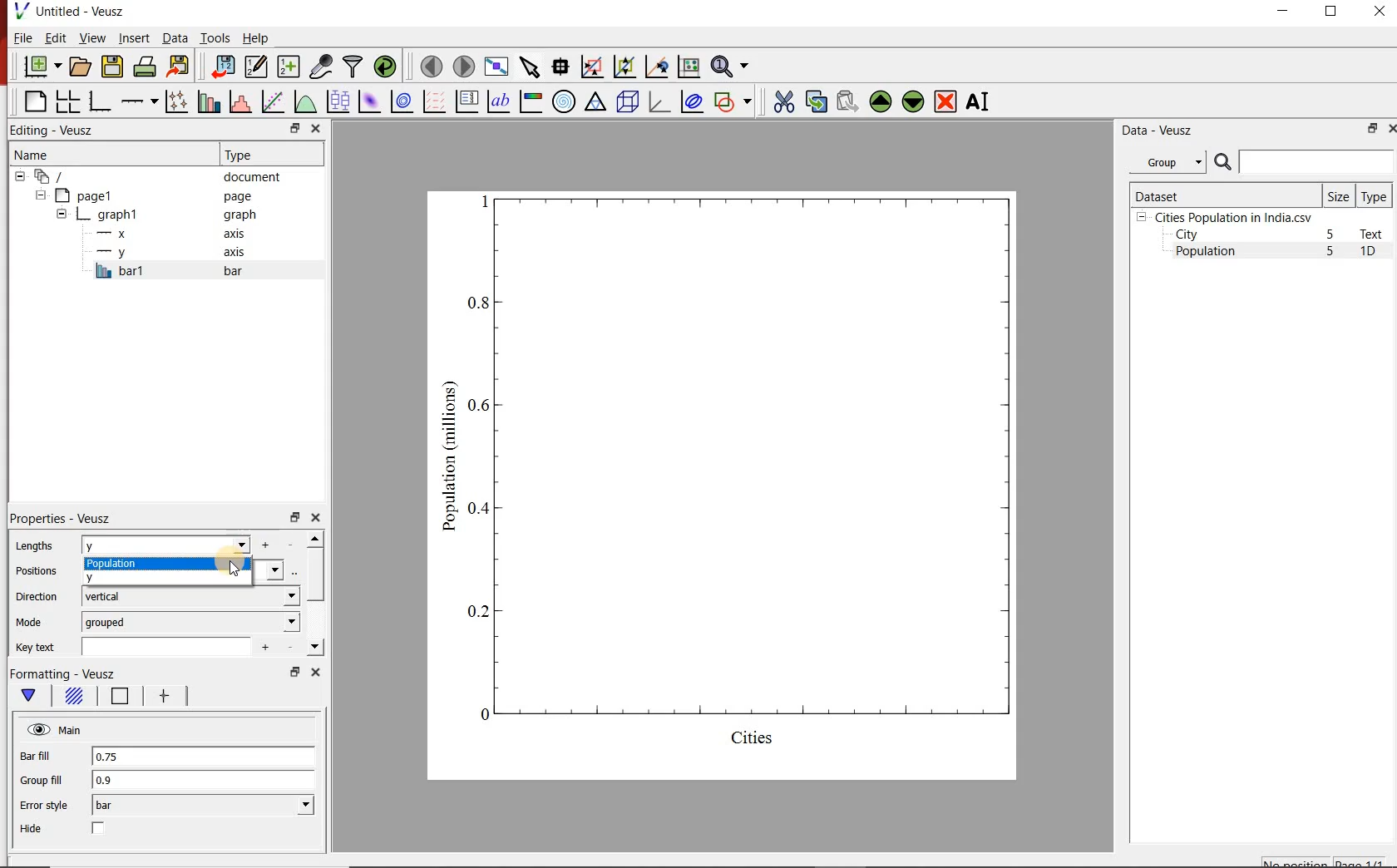 This screenshot has height=868, width=1397. I want to click on paste widget from the clipboard, so click(847, 101).